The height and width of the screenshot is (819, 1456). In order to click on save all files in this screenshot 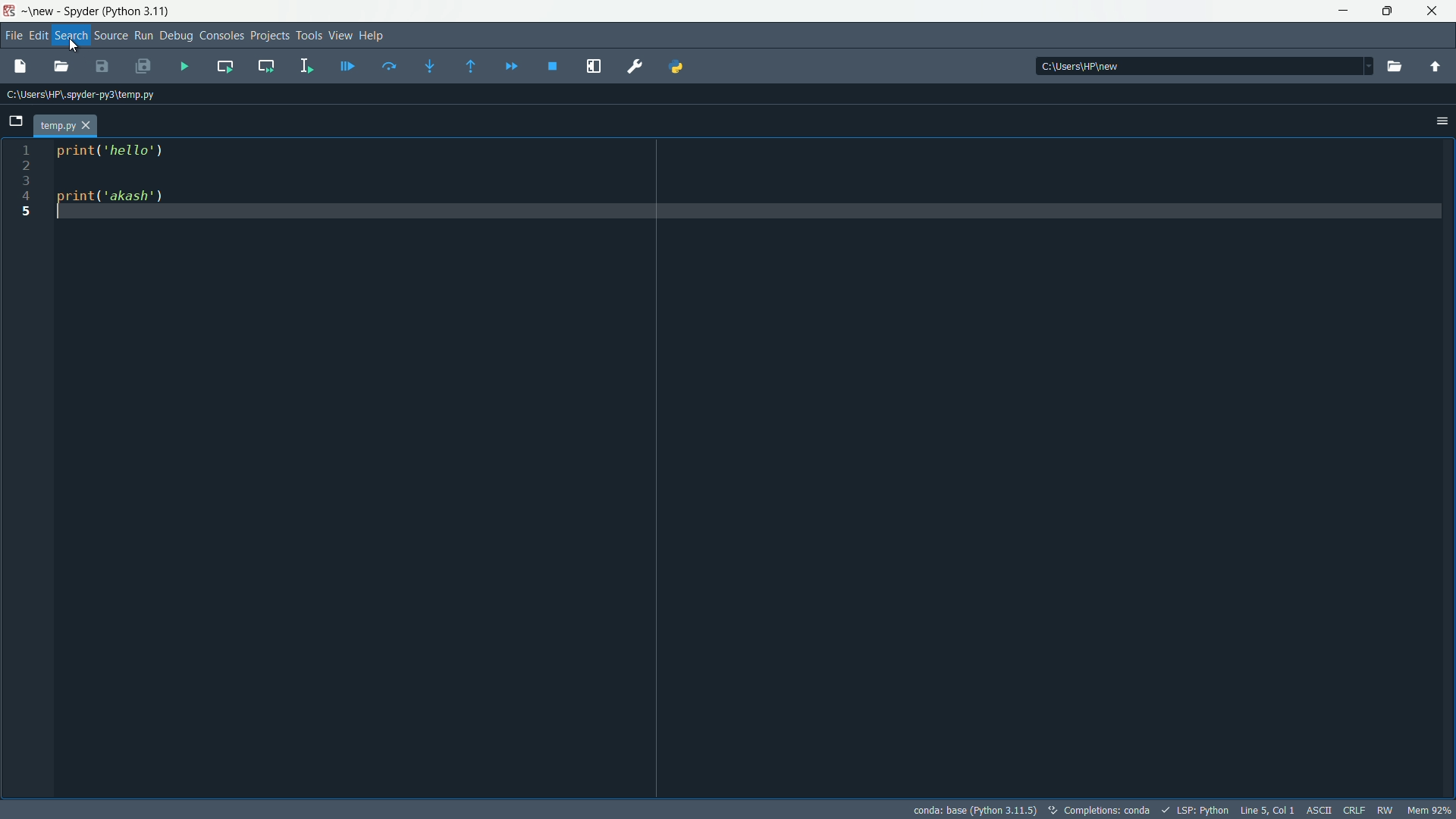, I will do `click(100, 67)`.